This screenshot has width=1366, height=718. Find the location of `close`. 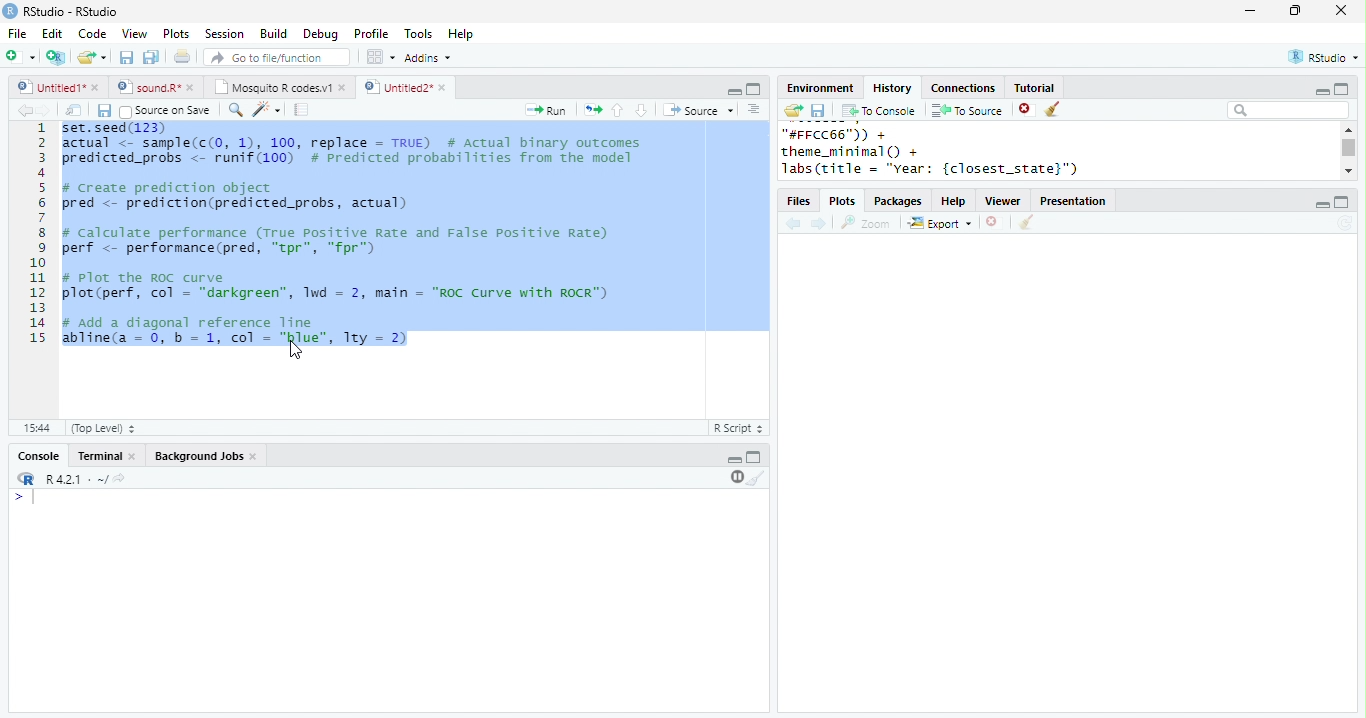

close is located at coordinates (445, 88).